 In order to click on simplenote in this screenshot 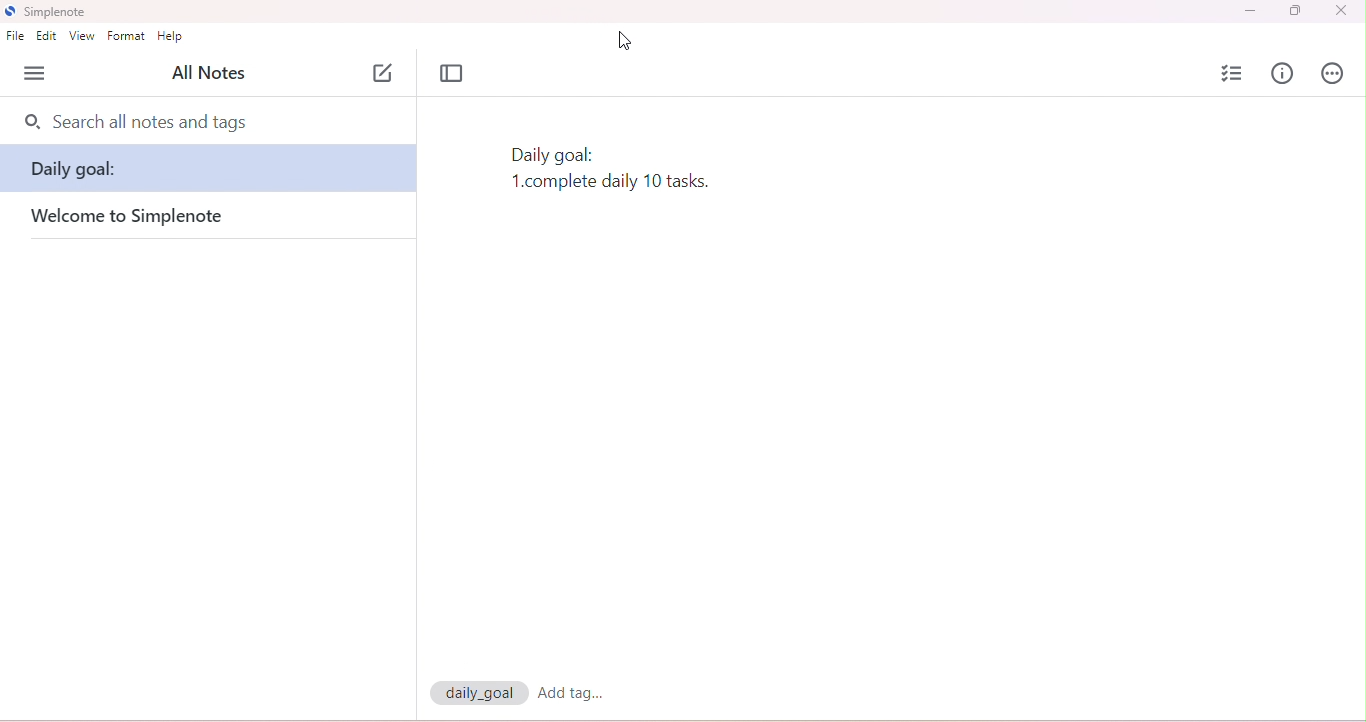, I will do `click(49, 12)`.